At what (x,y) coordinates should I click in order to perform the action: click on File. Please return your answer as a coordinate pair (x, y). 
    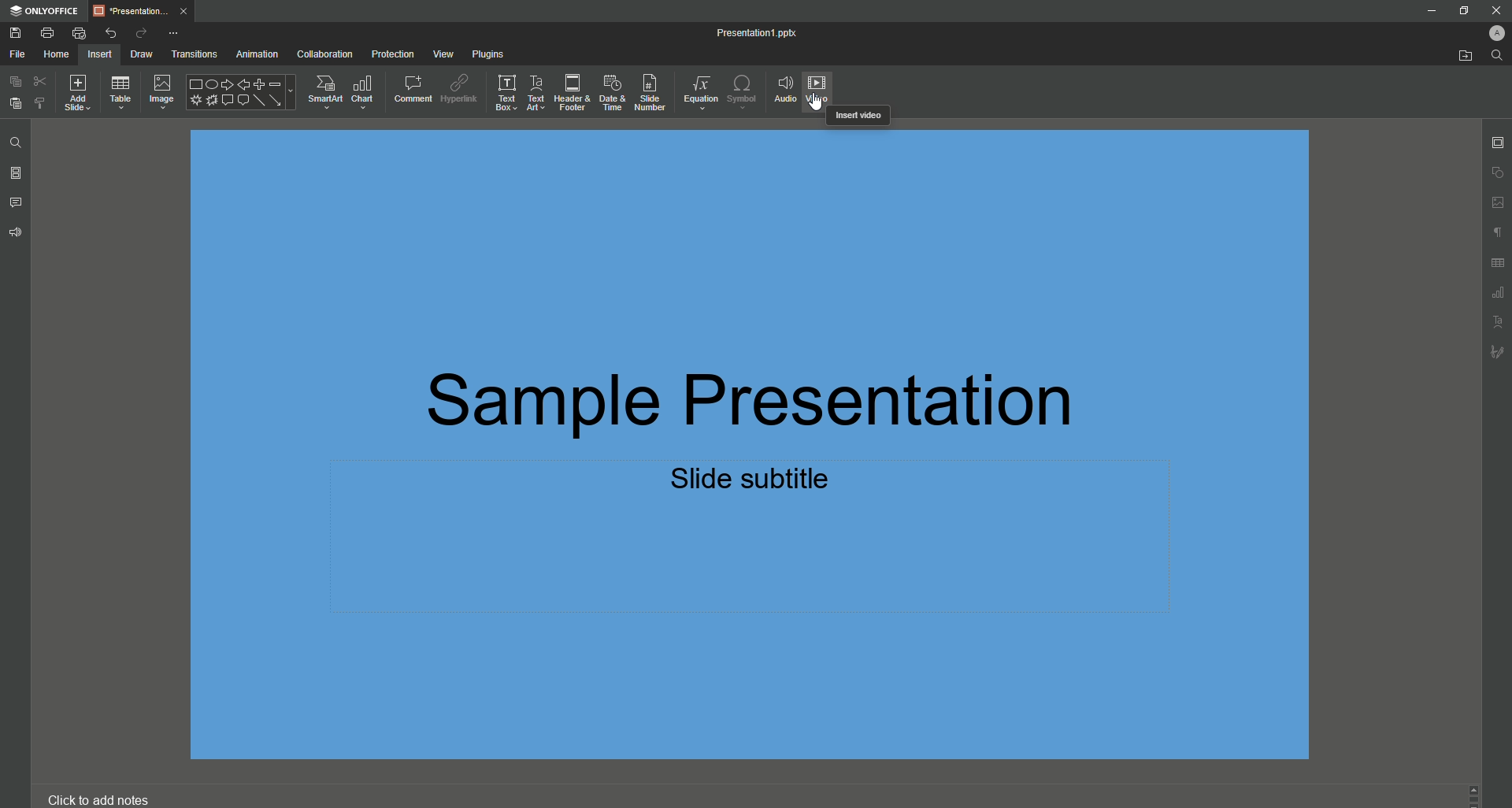
    Looking at the image, I should click on (18, 54).